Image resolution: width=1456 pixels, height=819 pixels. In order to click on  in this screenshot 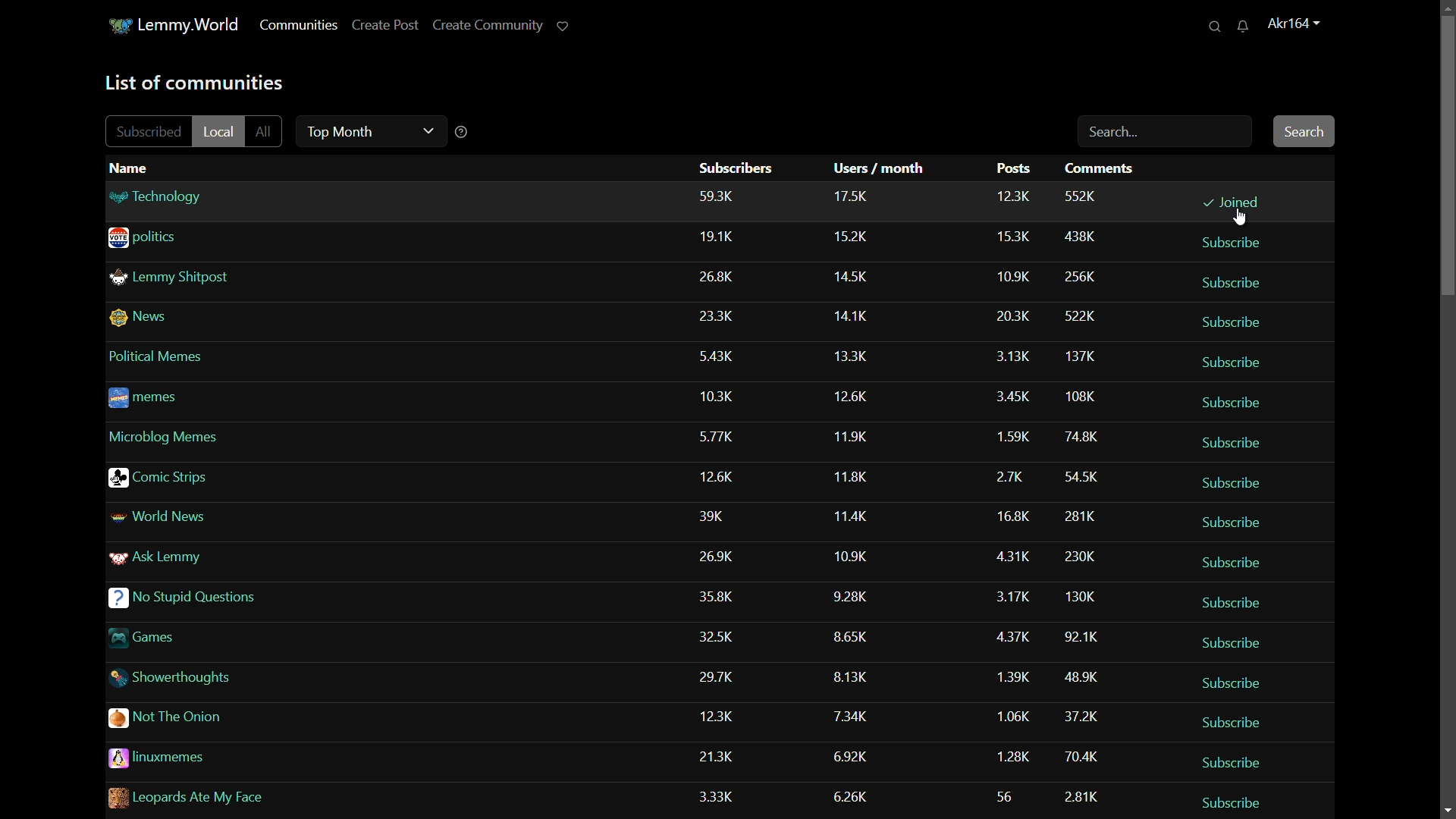, I will do `click(1012, 316)`.